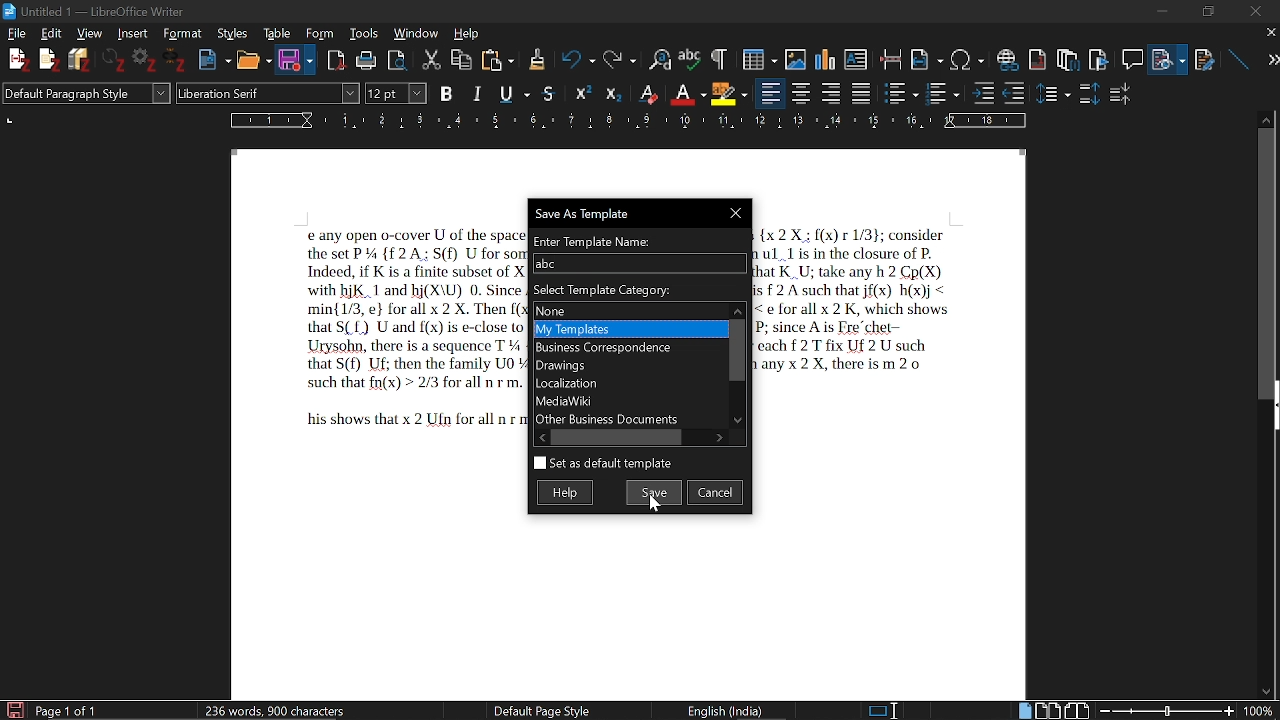  Describe the element at coordinates (602, 464) in the screenshot. I see `Set as default` at that location.